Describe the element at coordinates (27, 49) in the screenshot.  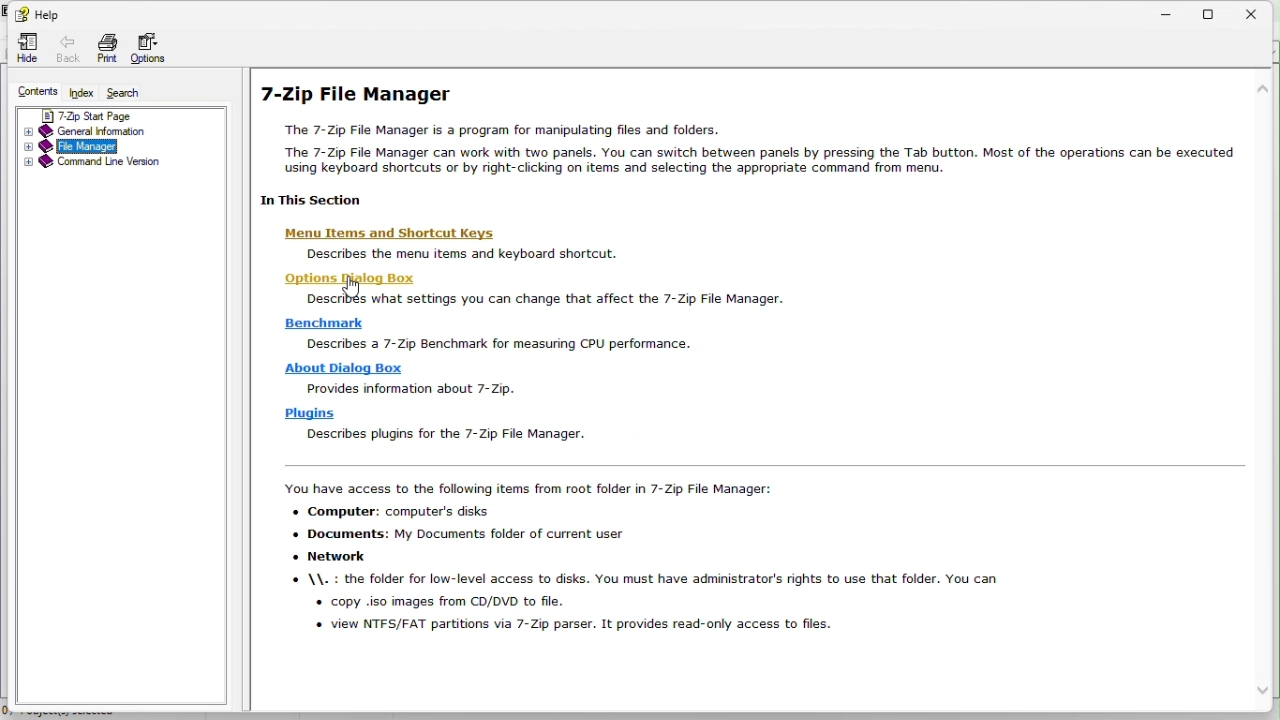
I see `Hide` at that location.